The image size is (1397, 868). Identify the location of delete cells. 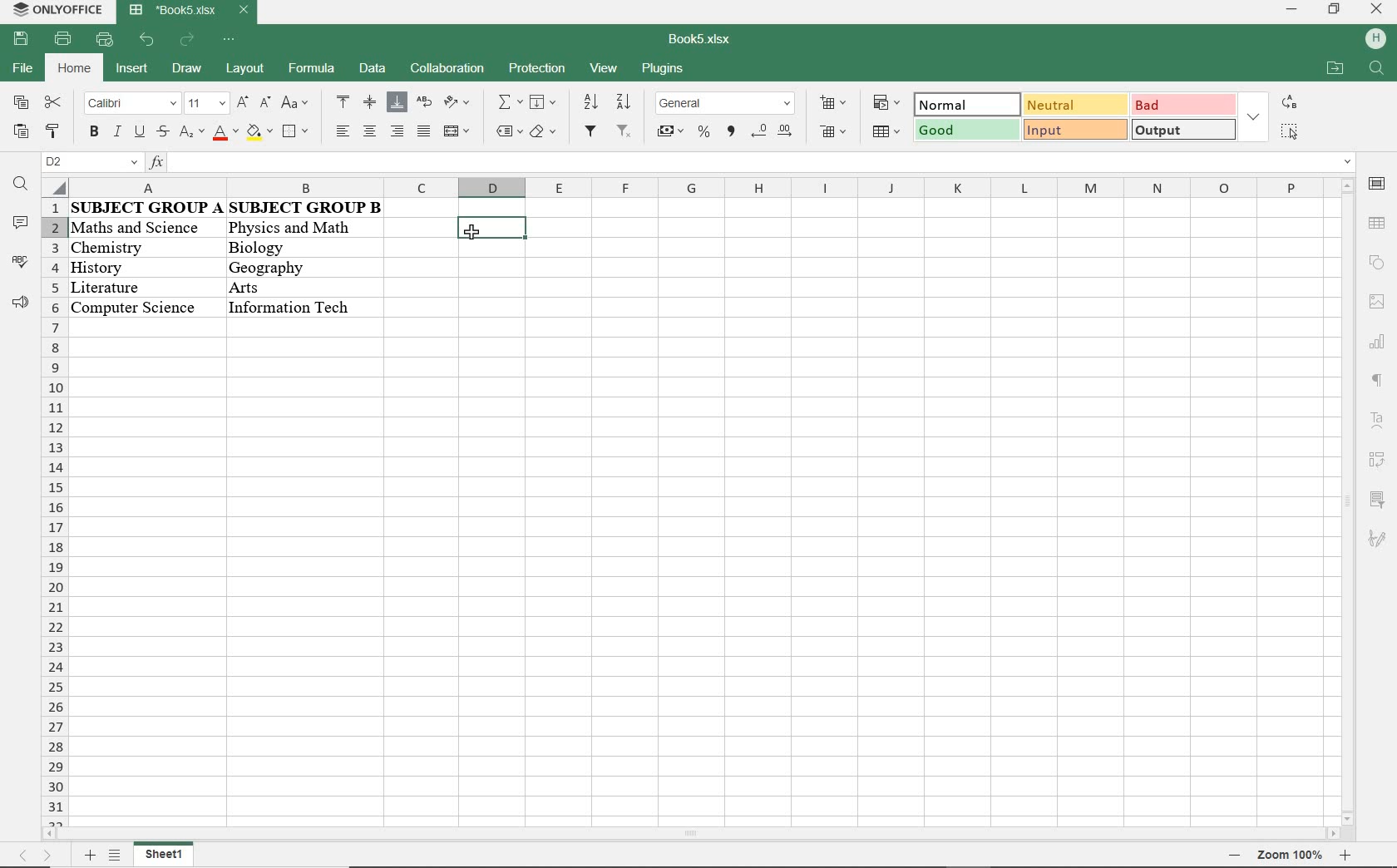
(835, 133).